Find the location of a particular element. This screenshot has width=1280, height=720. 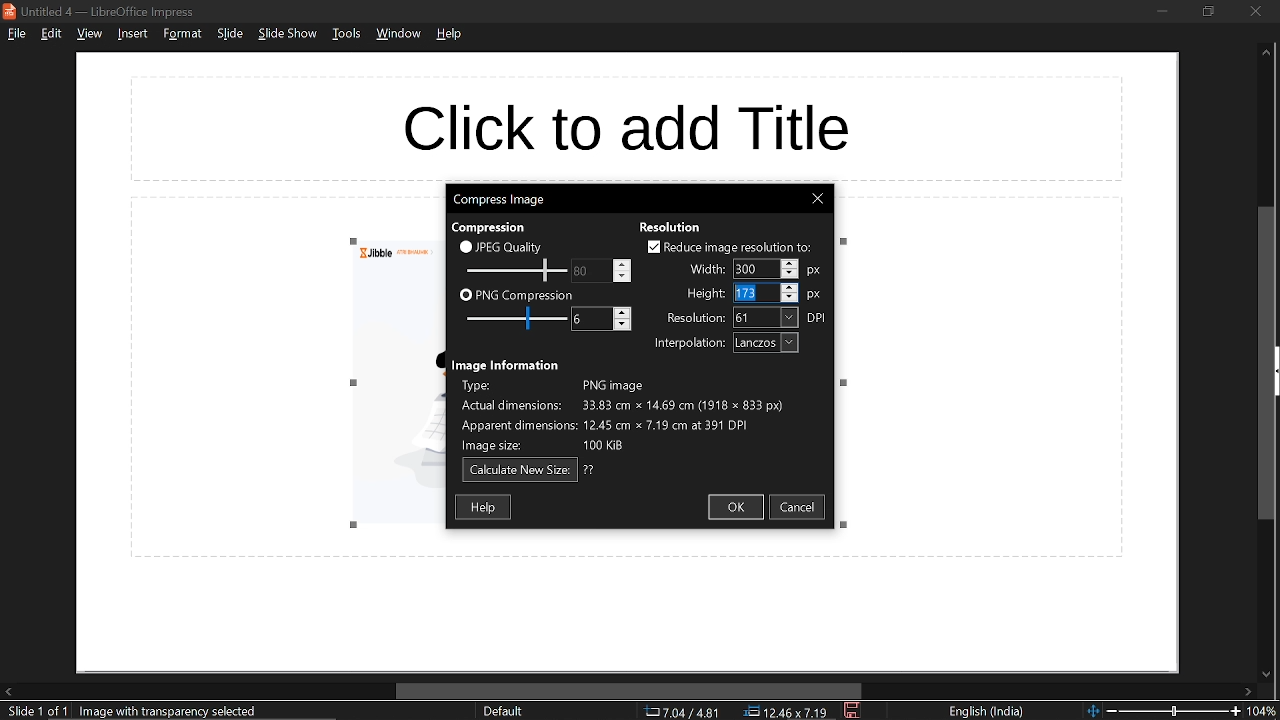

Increase  is located at coordinates (623, 262).